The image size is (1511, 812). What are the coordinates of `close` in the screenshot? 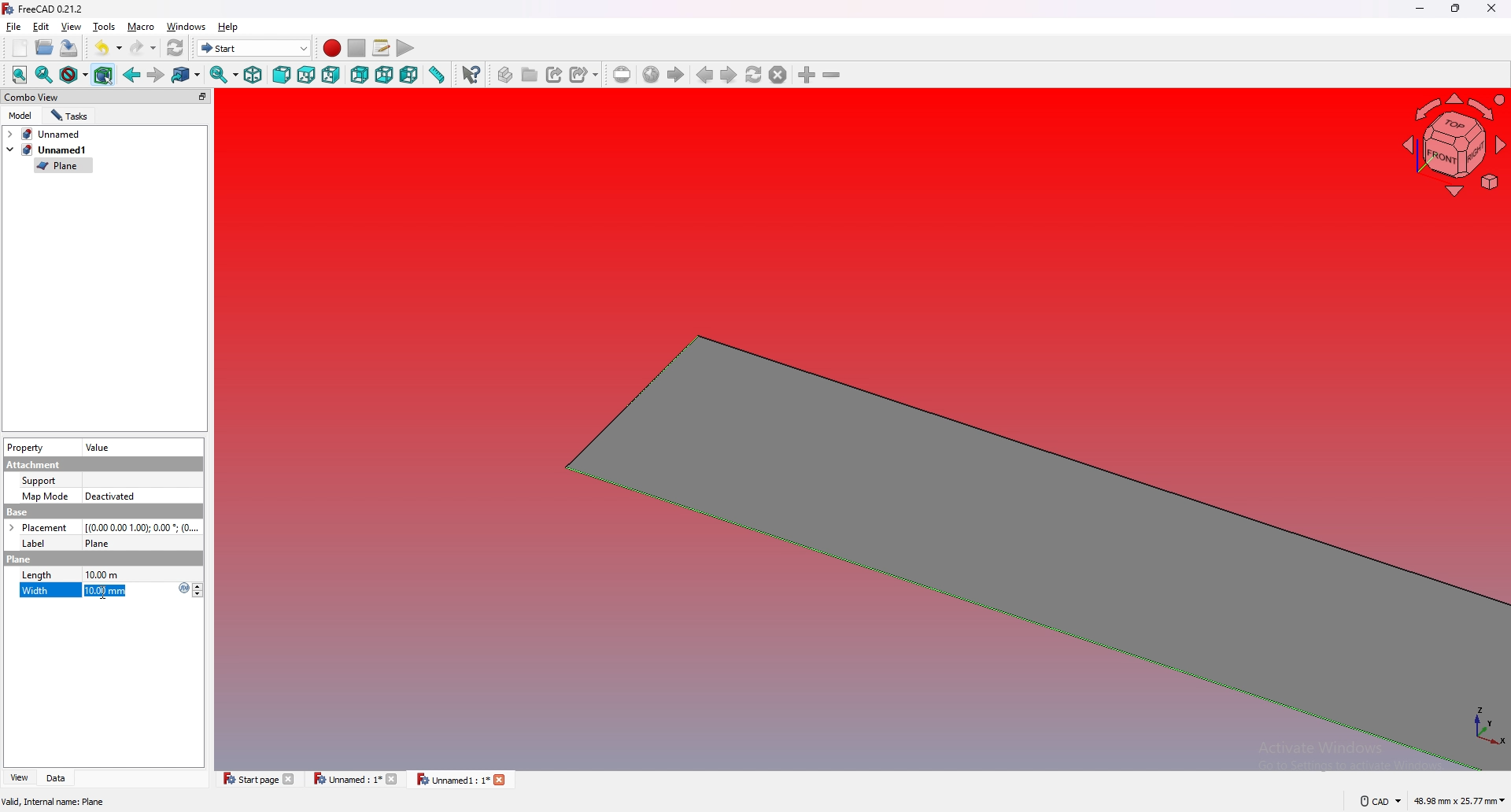 It's located at (1490, 9).